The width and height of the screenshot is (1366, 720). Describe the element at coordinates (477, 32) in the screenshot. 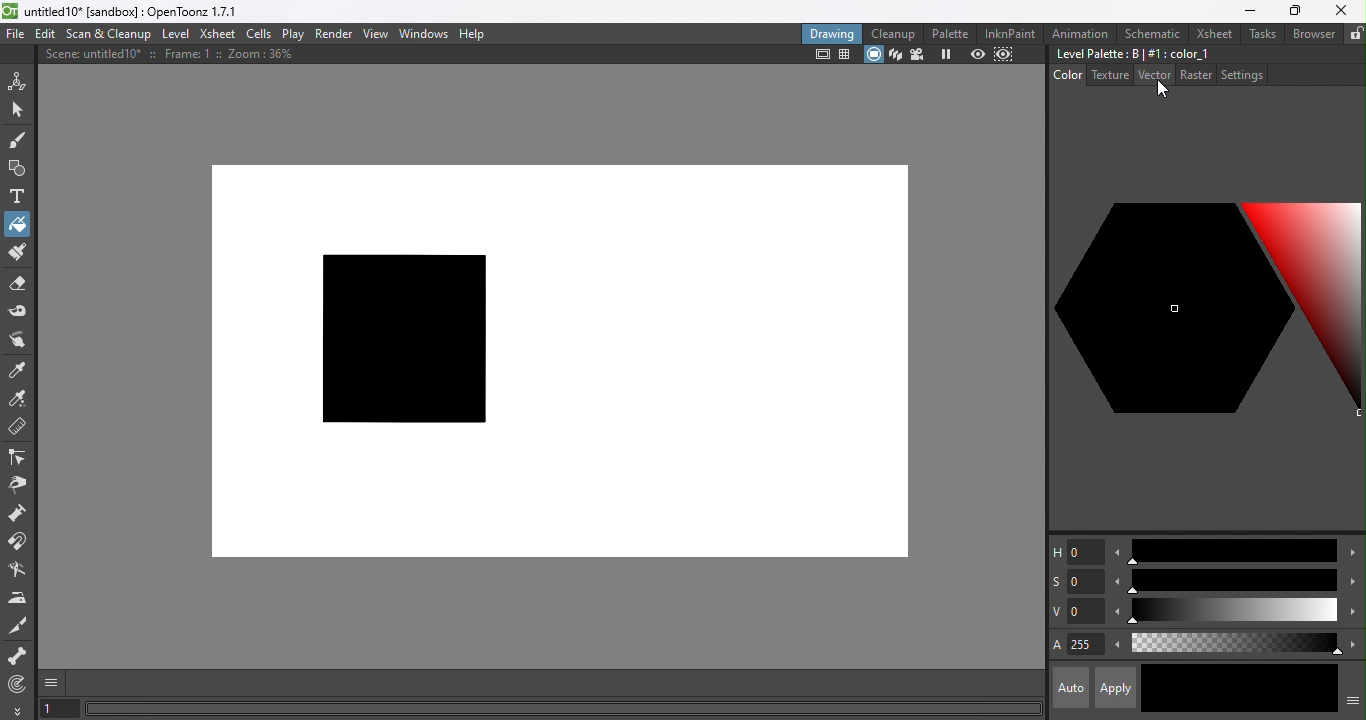

I see `Help` at that location.